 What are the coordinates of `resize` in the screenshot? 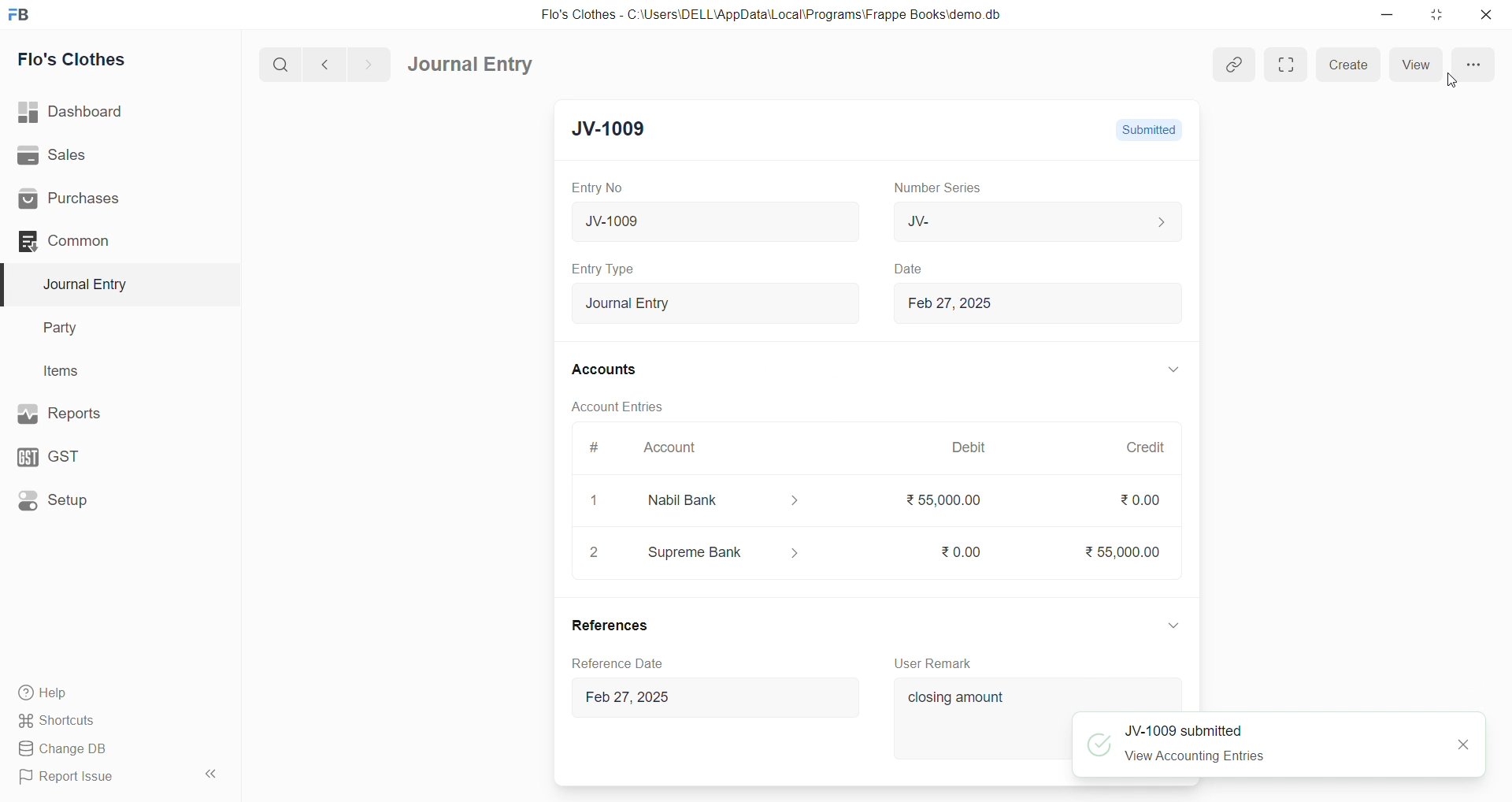 It's located at (1436, 13).